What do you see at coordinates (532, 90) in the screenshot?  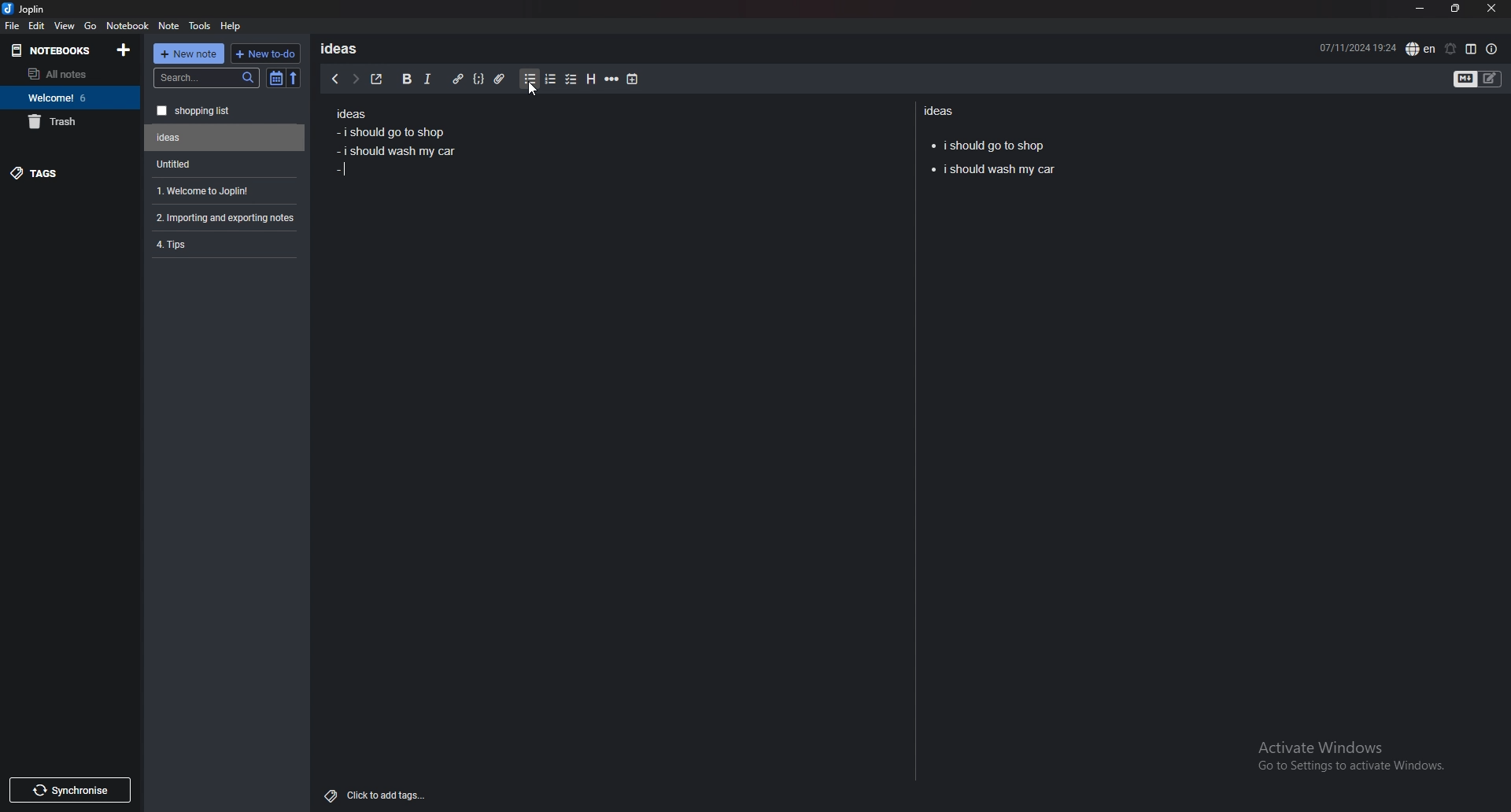 I see `cursor` at bounding box center [532, 90].